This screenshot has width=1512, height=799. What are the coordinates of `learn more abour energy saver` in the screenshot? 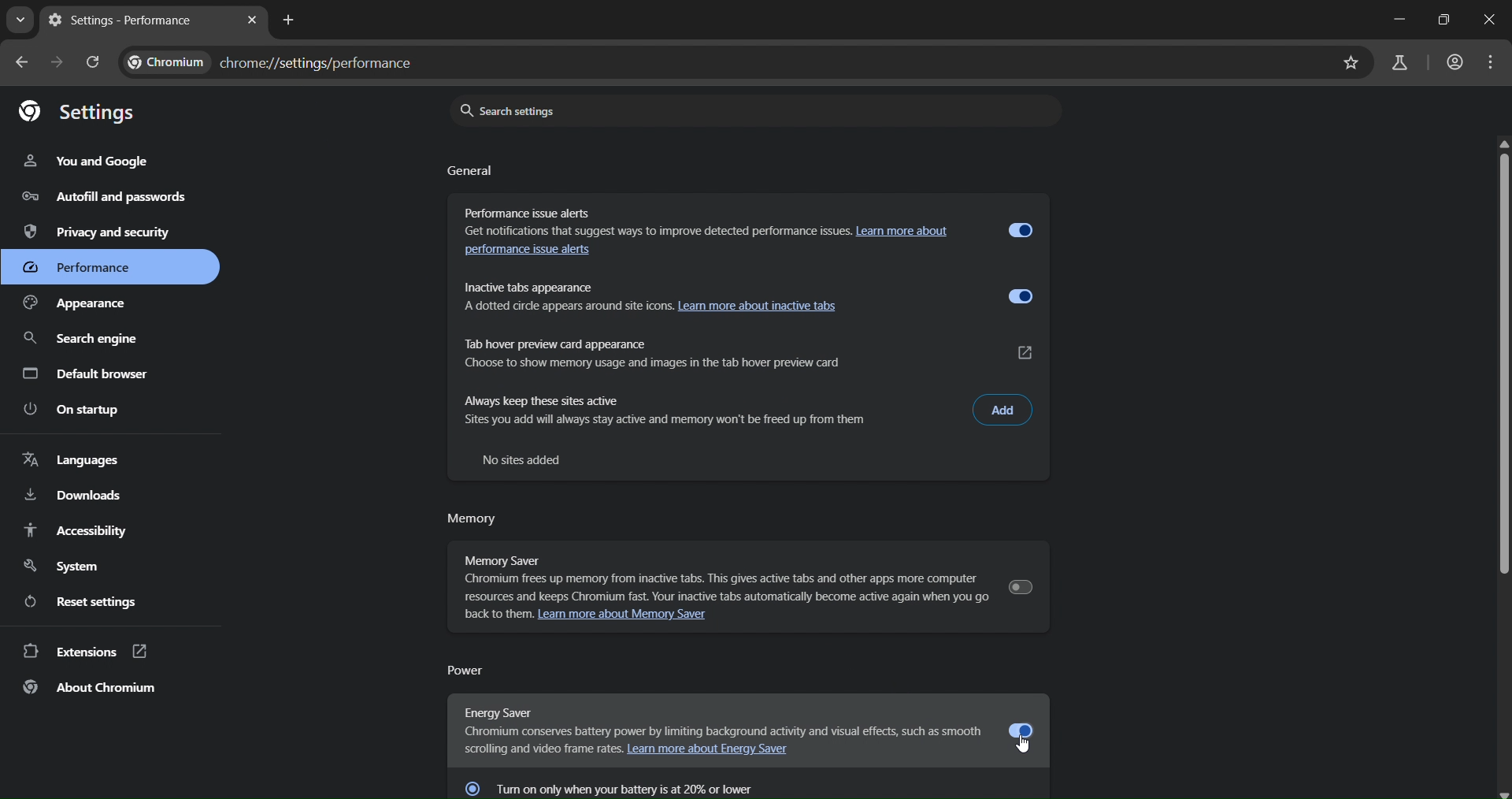 It's located at (715, 752).